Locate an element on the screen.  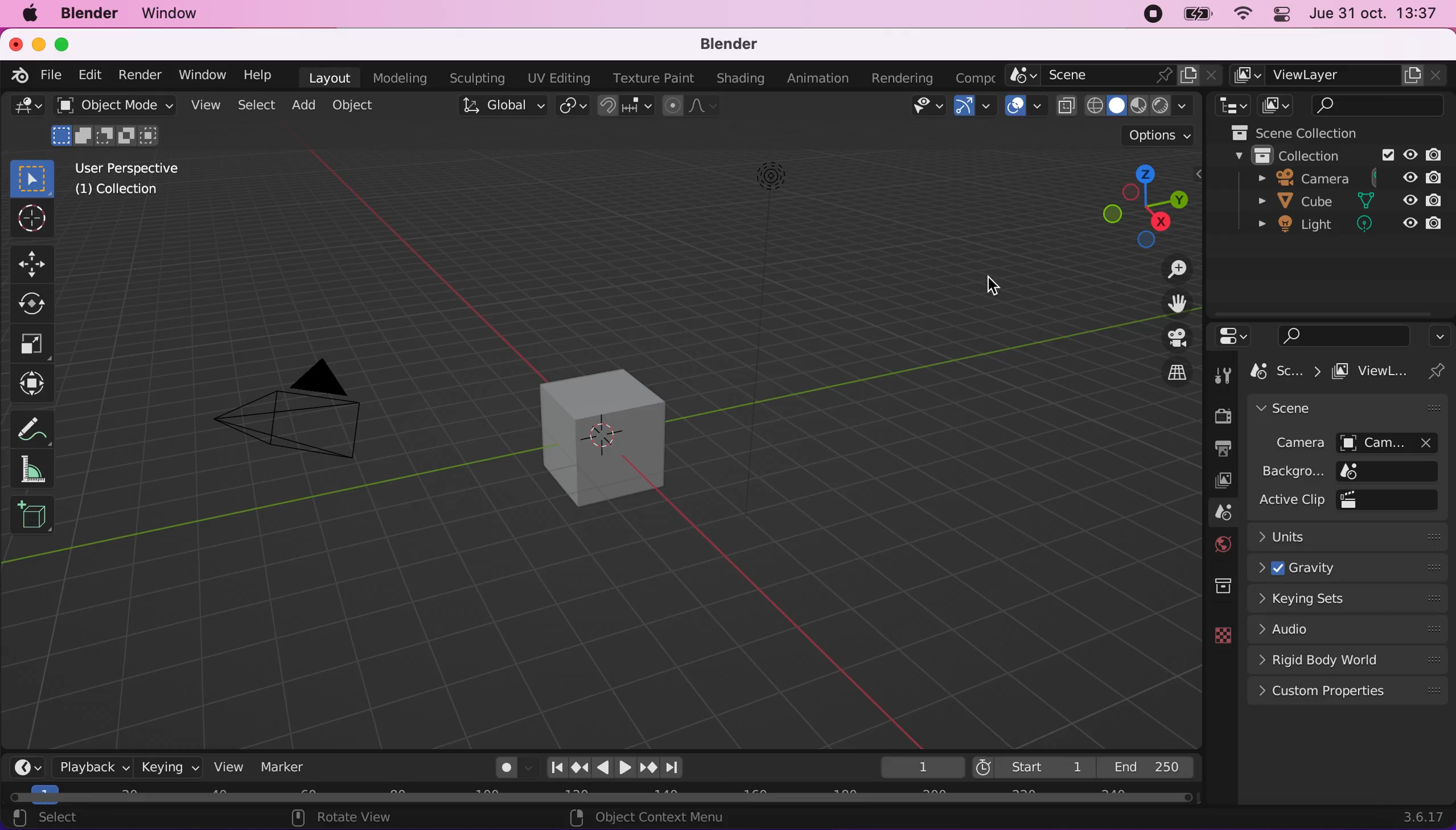
texture paint is located at coordinates (651, 76).